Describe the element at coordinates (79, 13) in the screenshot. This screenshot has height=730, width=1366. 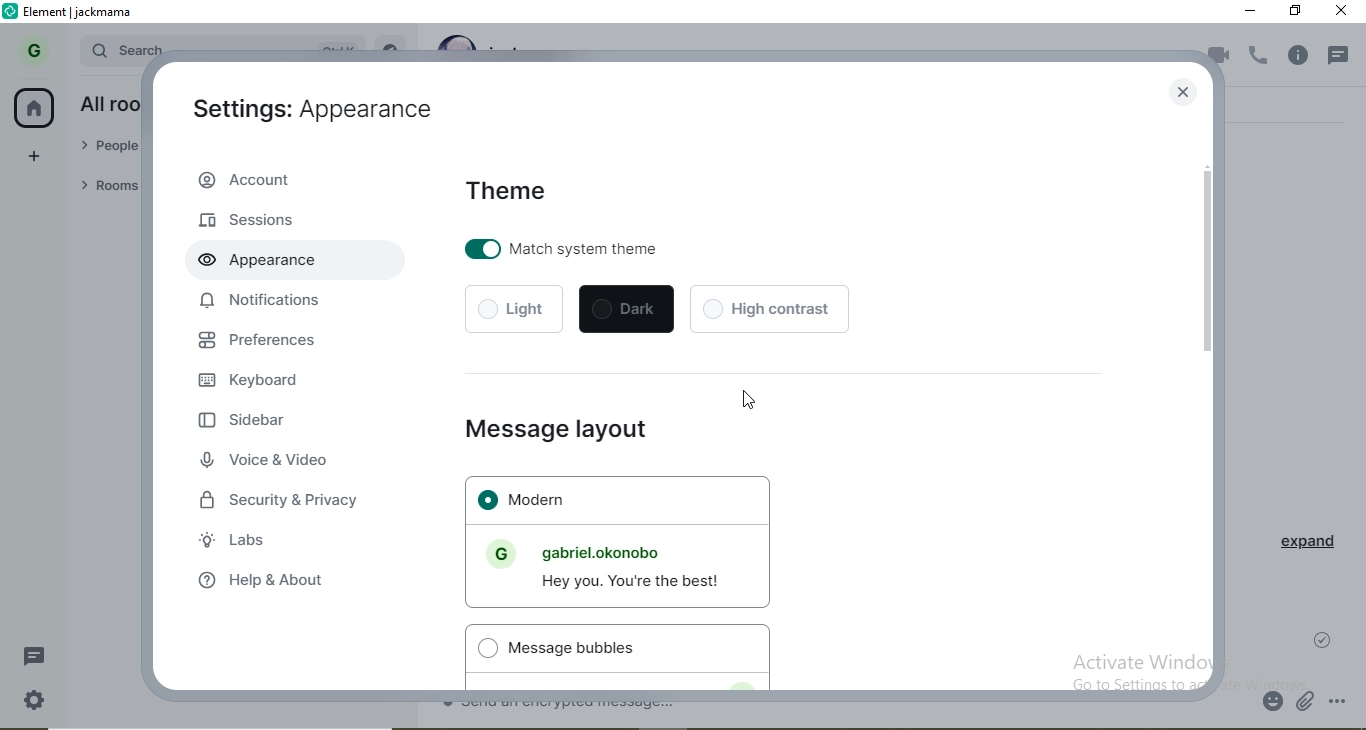
I see `element` at that location.